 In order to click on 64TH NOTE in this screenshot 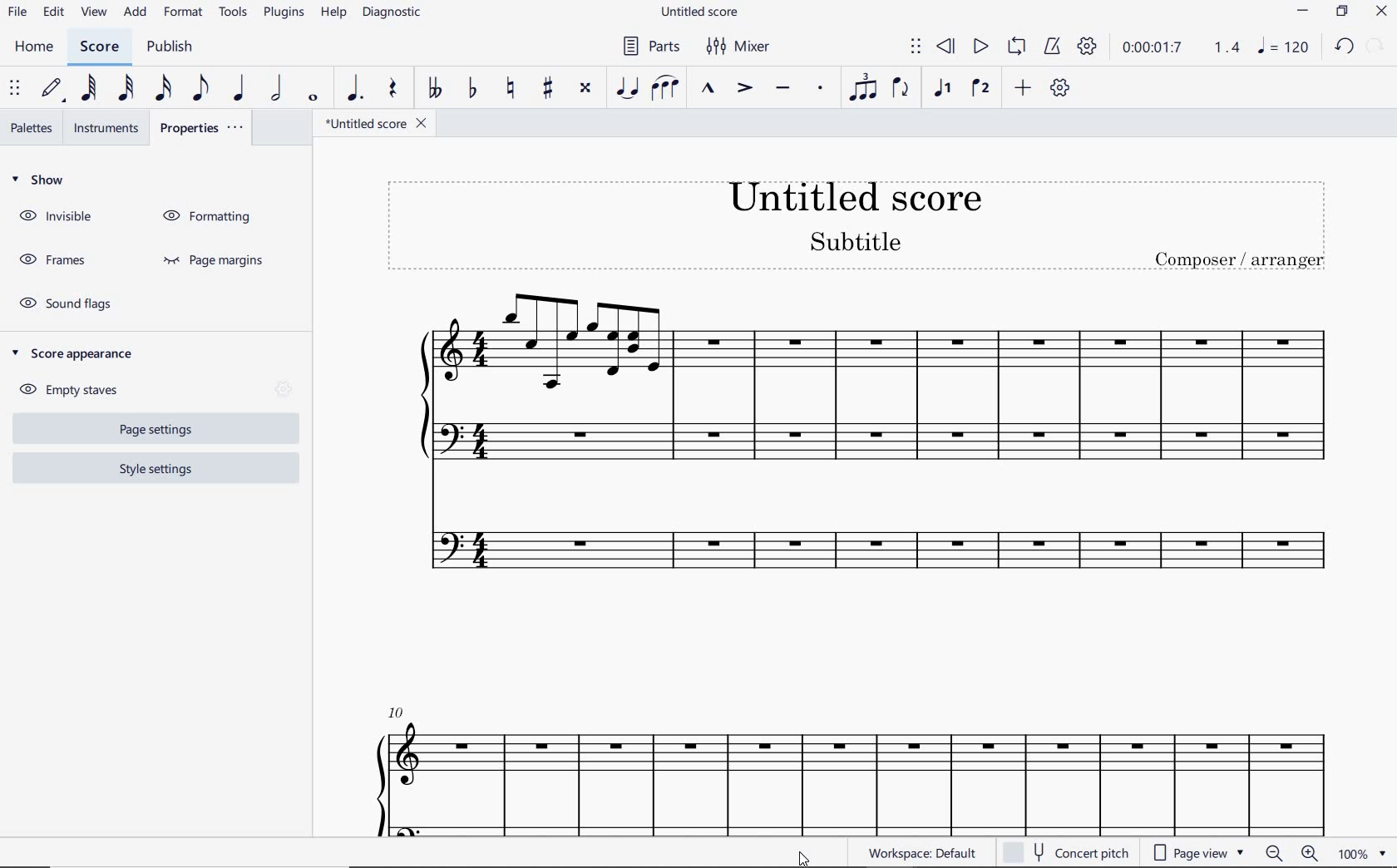, I will do `click(91, 88)`.